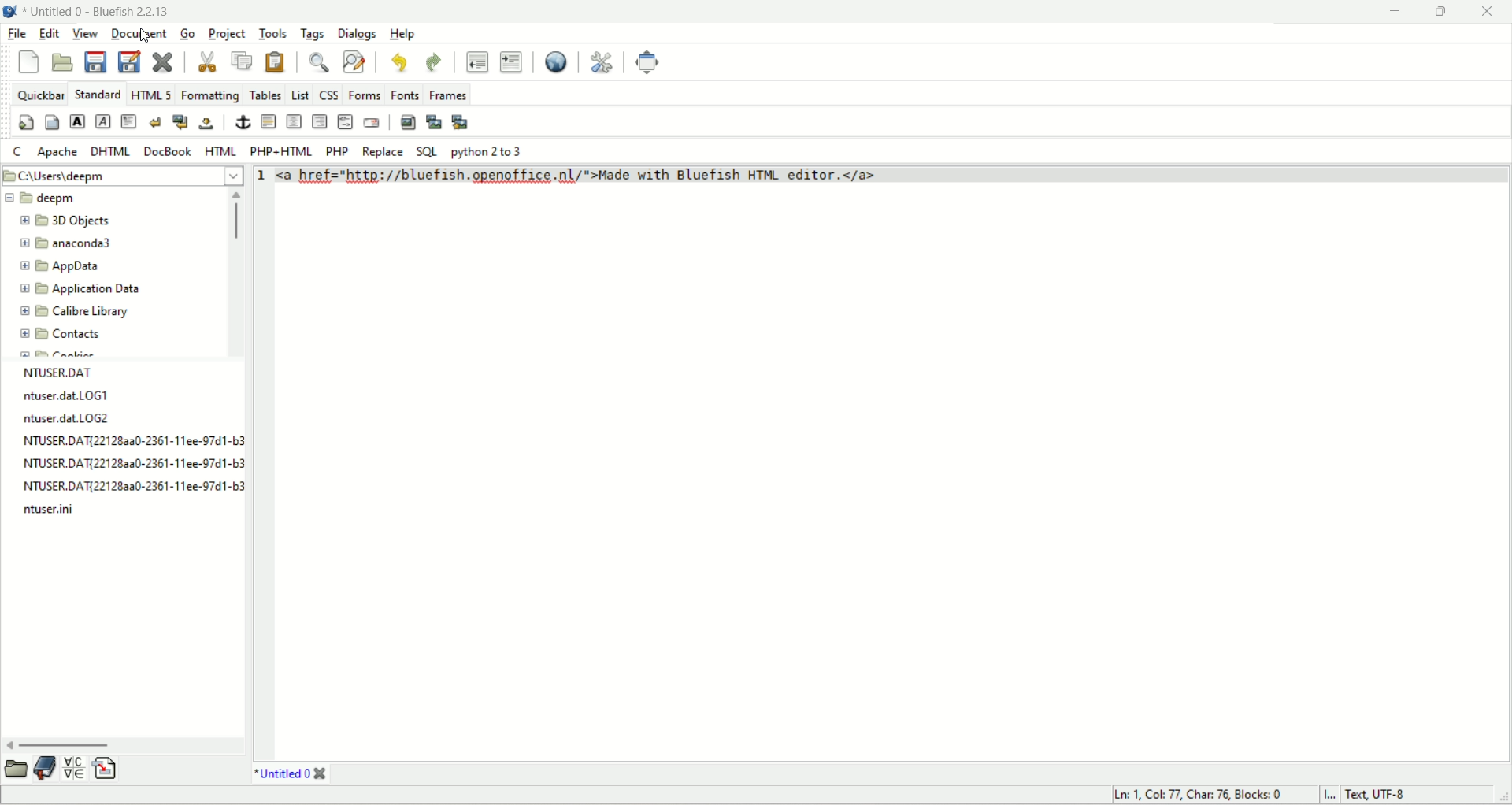  I want to click on C, so click(20, 151).